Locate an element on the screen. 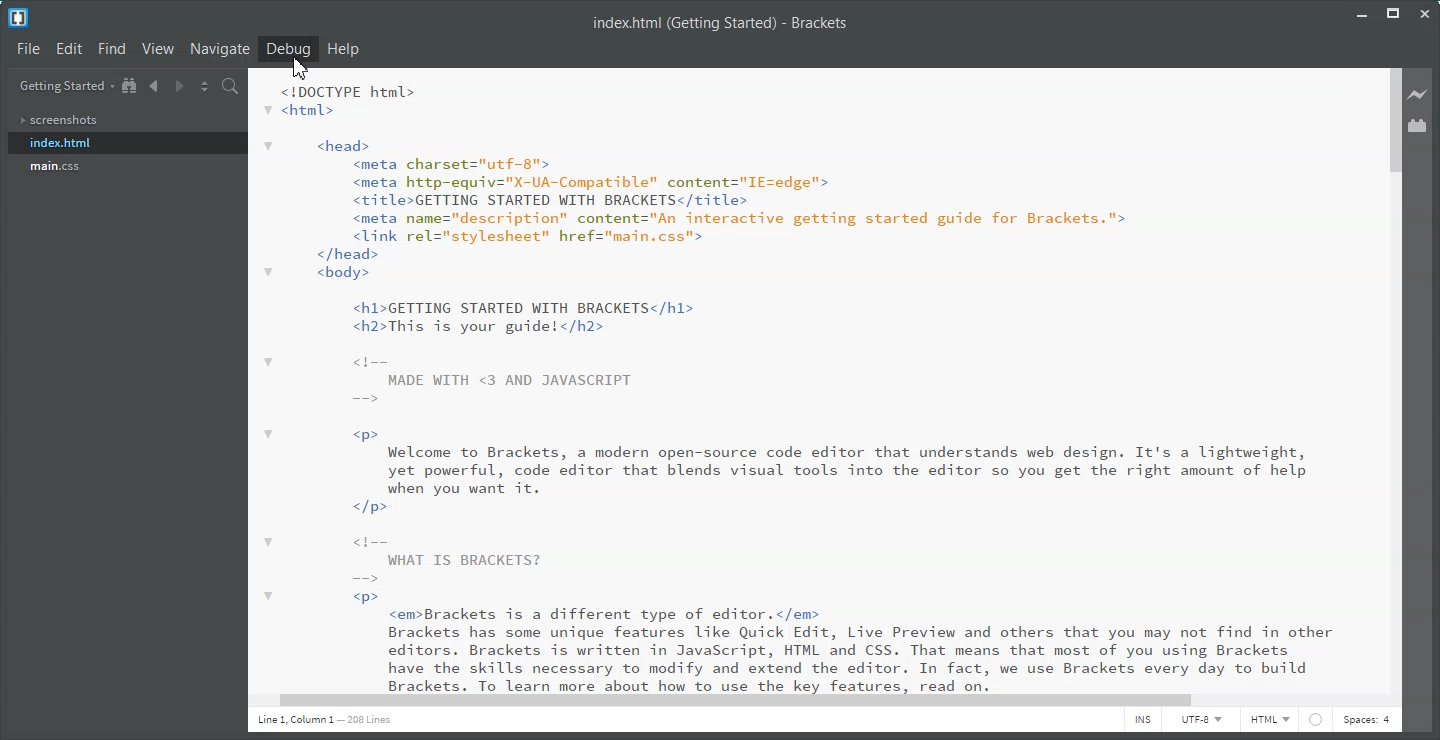 The width and height of the screenshot is (1440, 740). Text is located at coordinates (790, 379).